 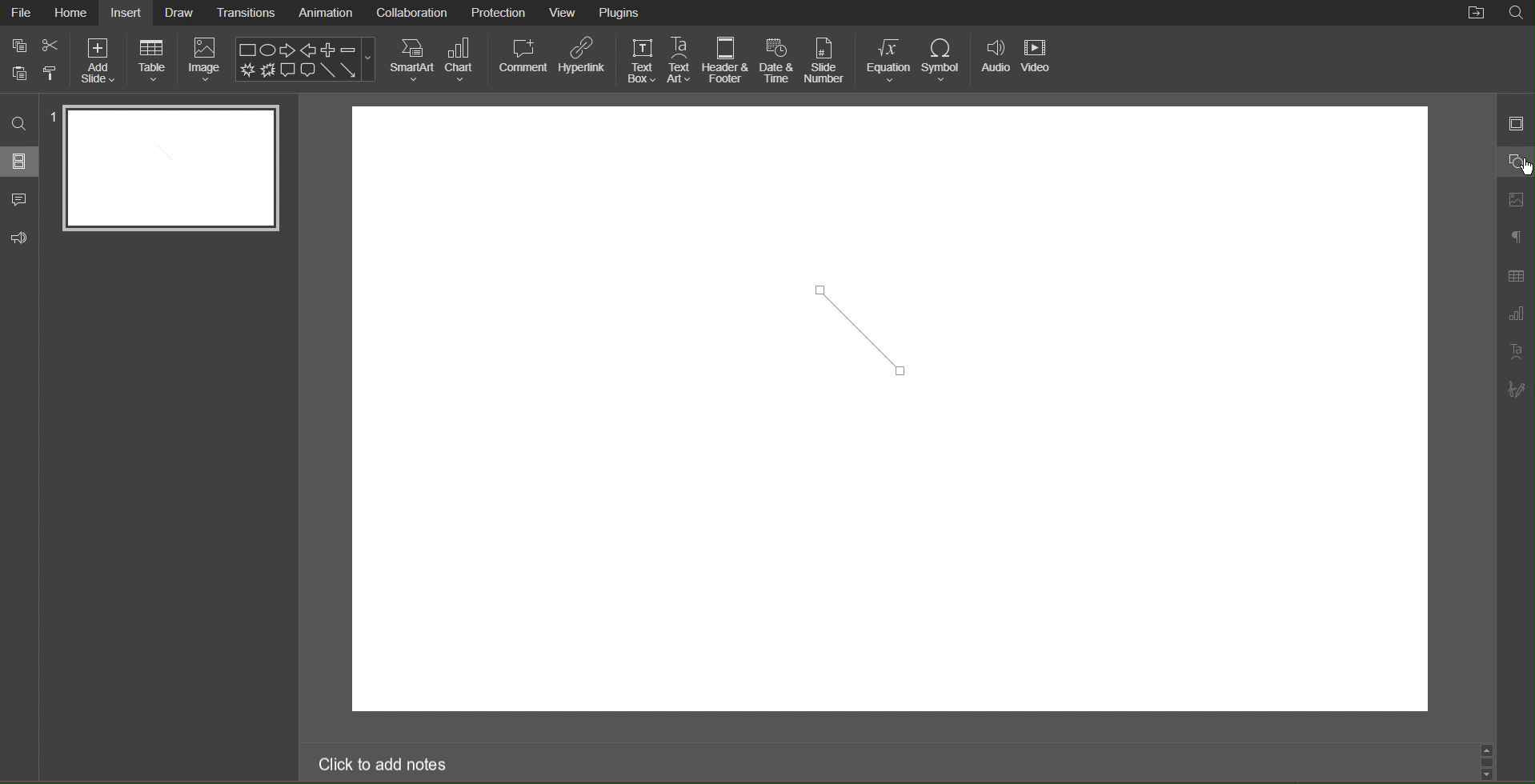 I want to click on Slide 1, so click(x=170, y=169).